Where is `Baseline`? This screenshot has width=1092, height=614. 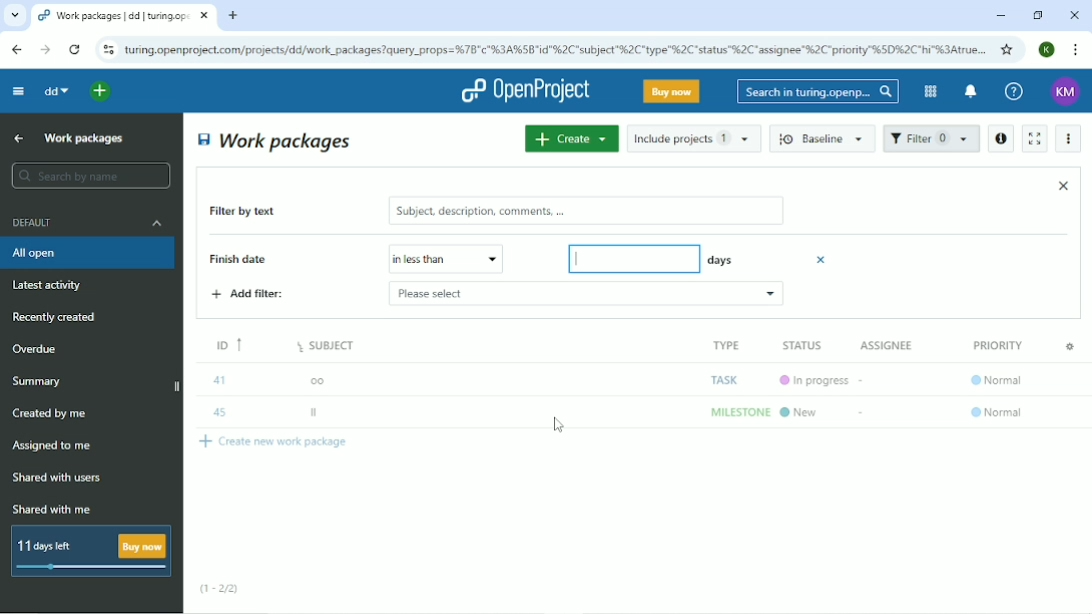
Baseline is located at coordinates (824, 138).